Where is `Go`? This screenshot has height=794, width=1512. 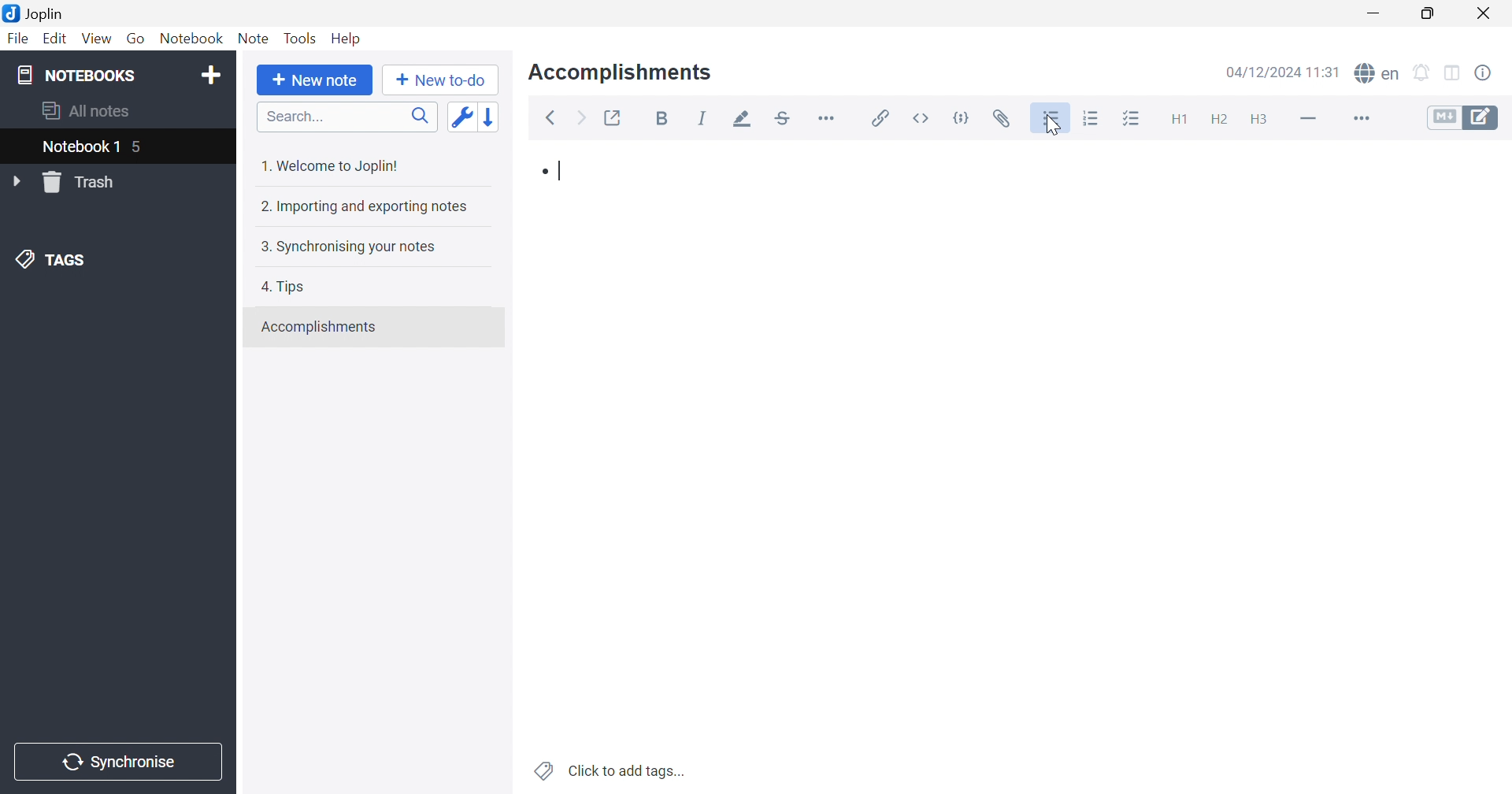 Go is located at coordinates (138, 39).